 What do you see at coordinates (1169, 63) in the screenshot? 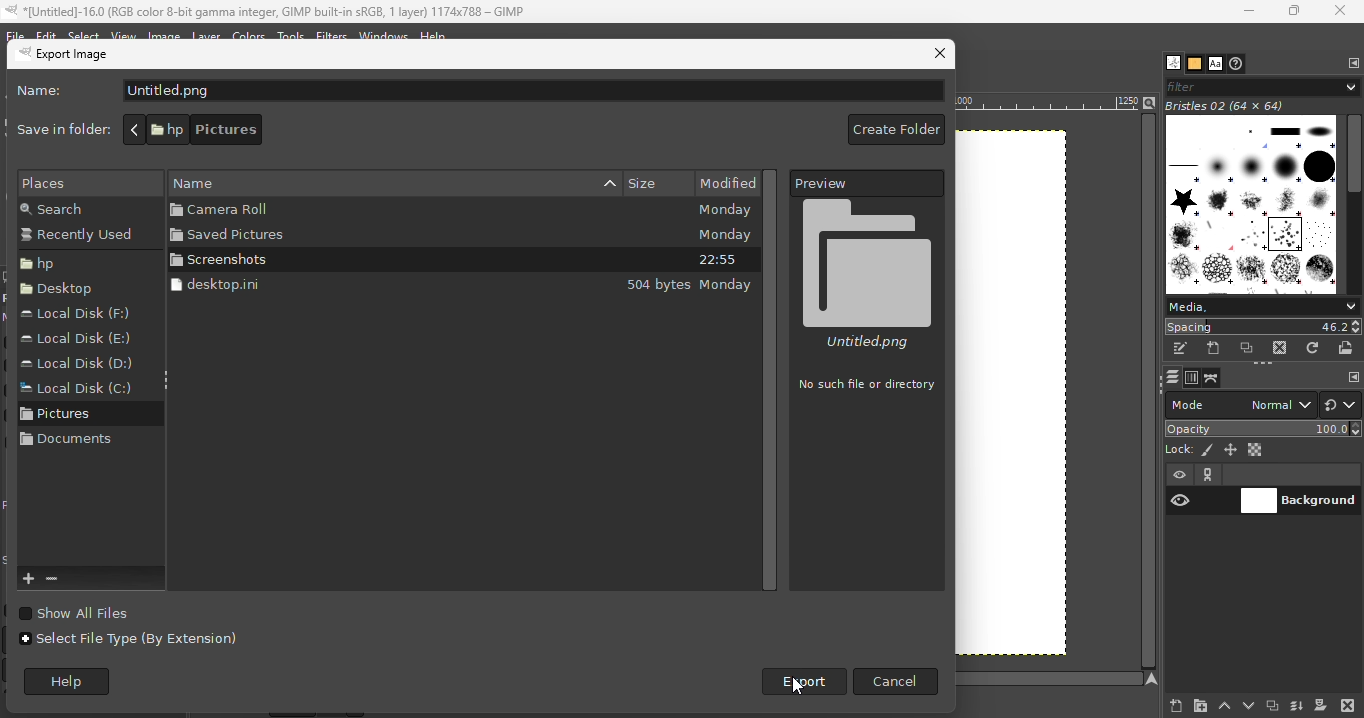
I see `Brushes` at bounding box center [1169, 63].